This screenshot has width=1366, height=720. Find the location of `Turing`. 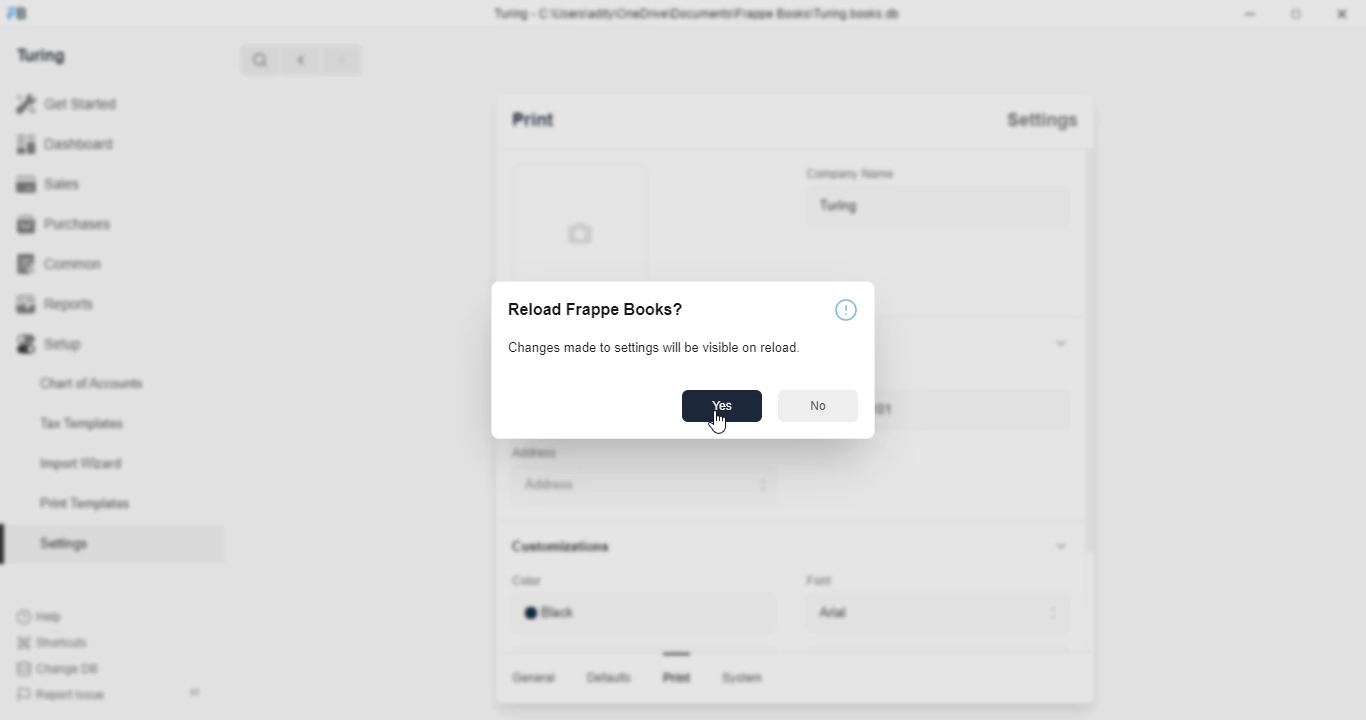

Turing is located at coordinates (934, 208).